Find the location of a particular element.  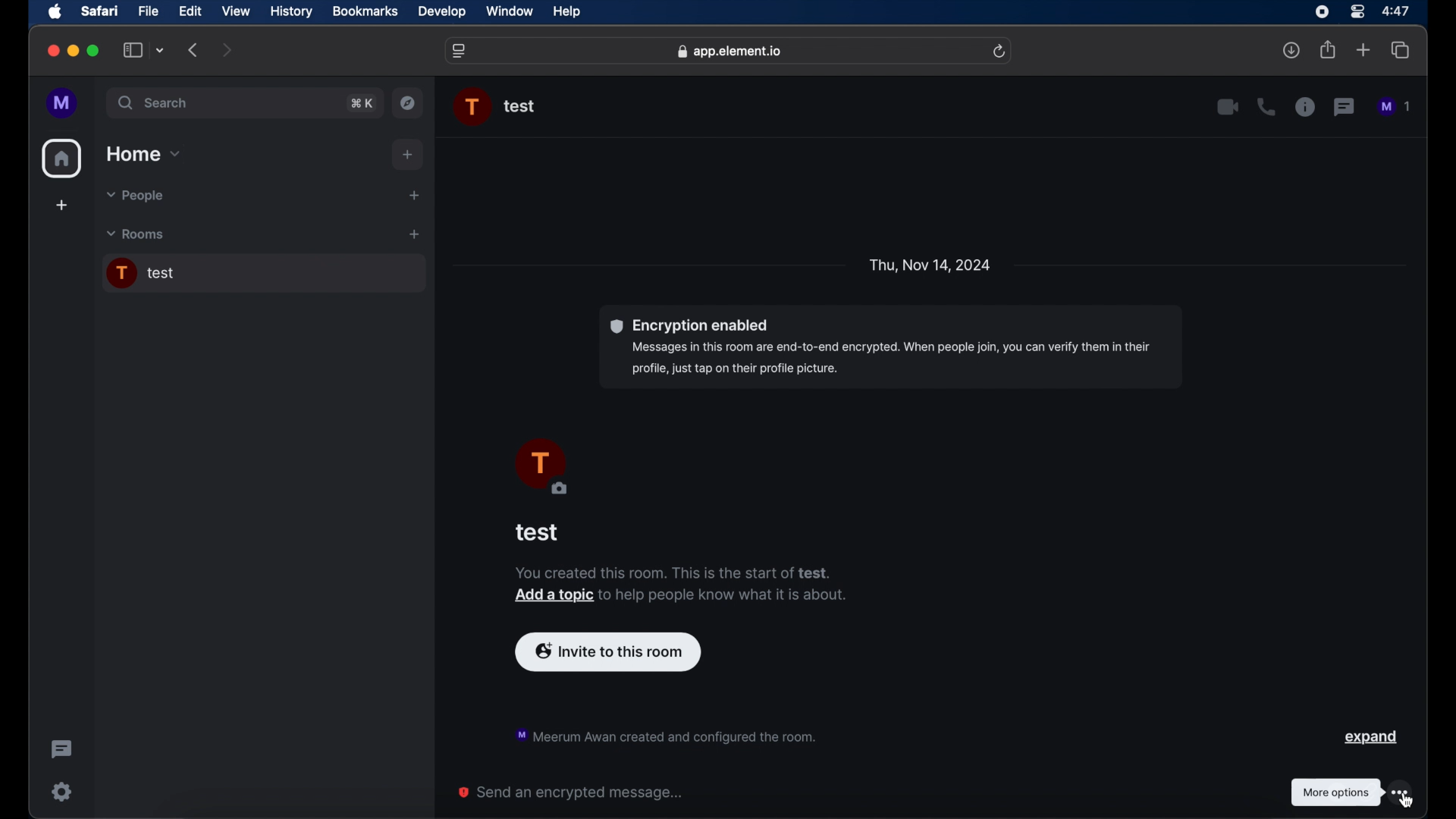

web address is located at coordinates (730, 51).